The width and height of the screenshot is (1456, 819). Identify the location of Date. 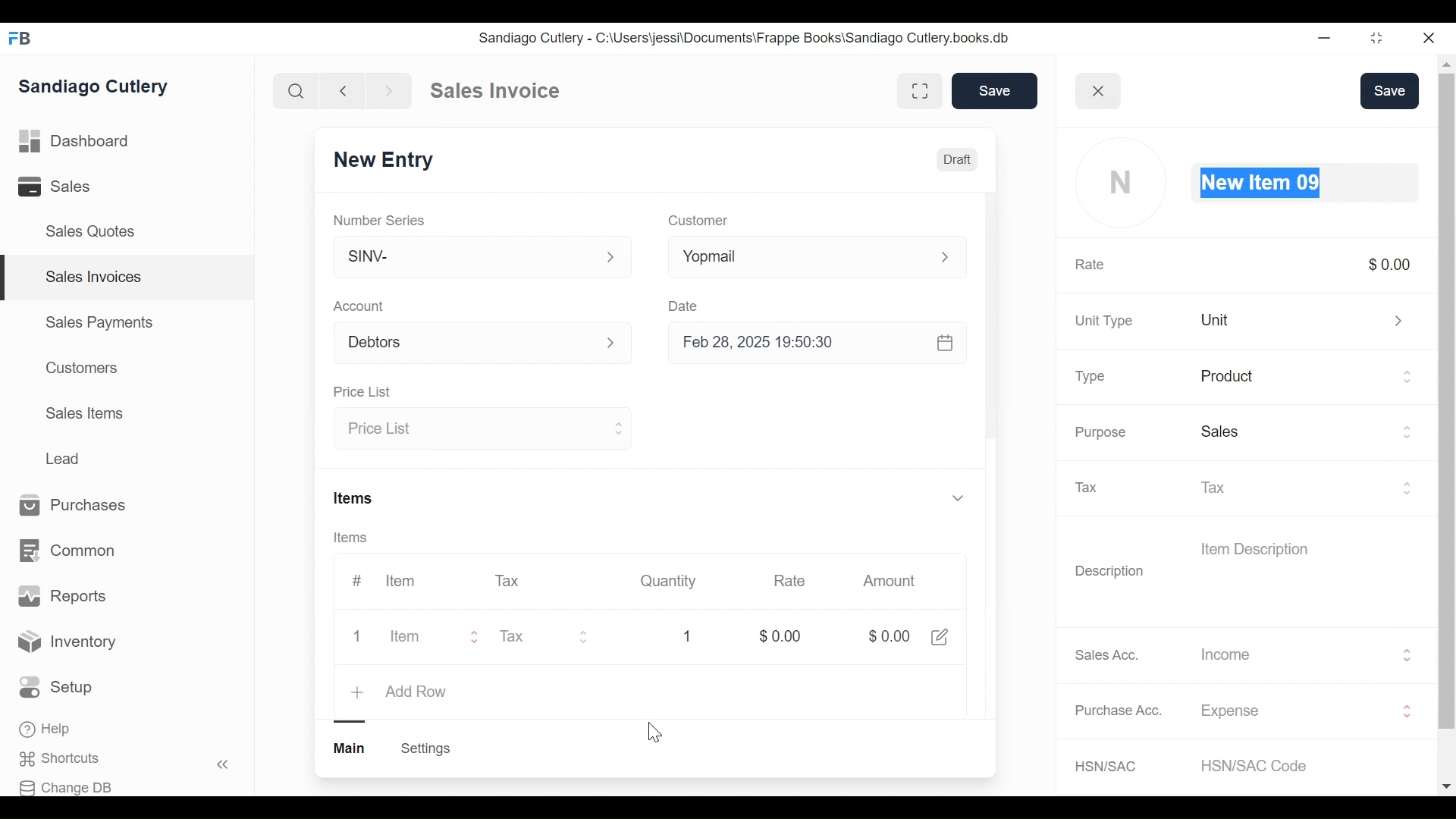
(686, 304).